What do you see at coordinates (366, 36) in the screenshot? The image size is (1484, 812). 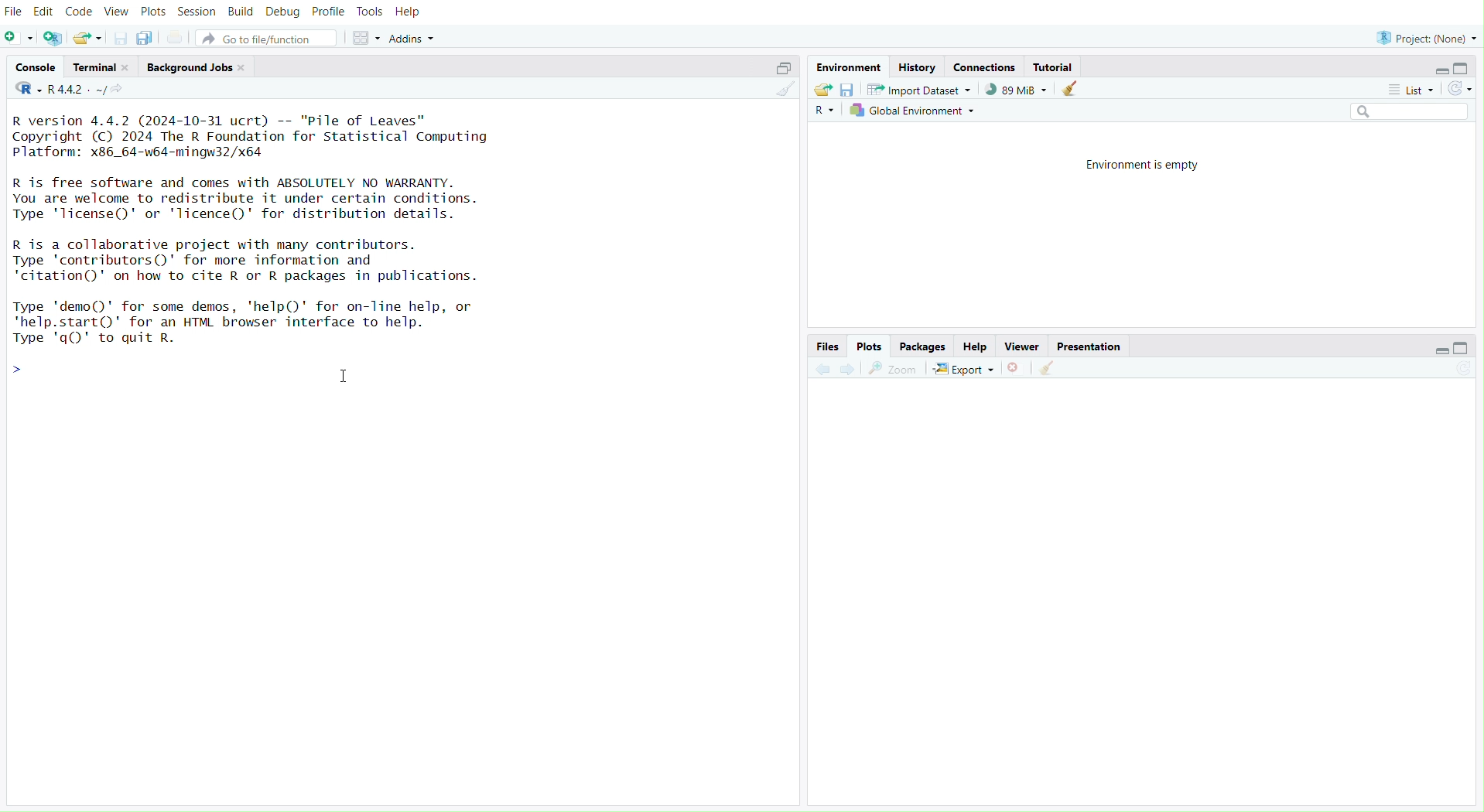 I see `Workspace panes` at bounding box center [366, 36].